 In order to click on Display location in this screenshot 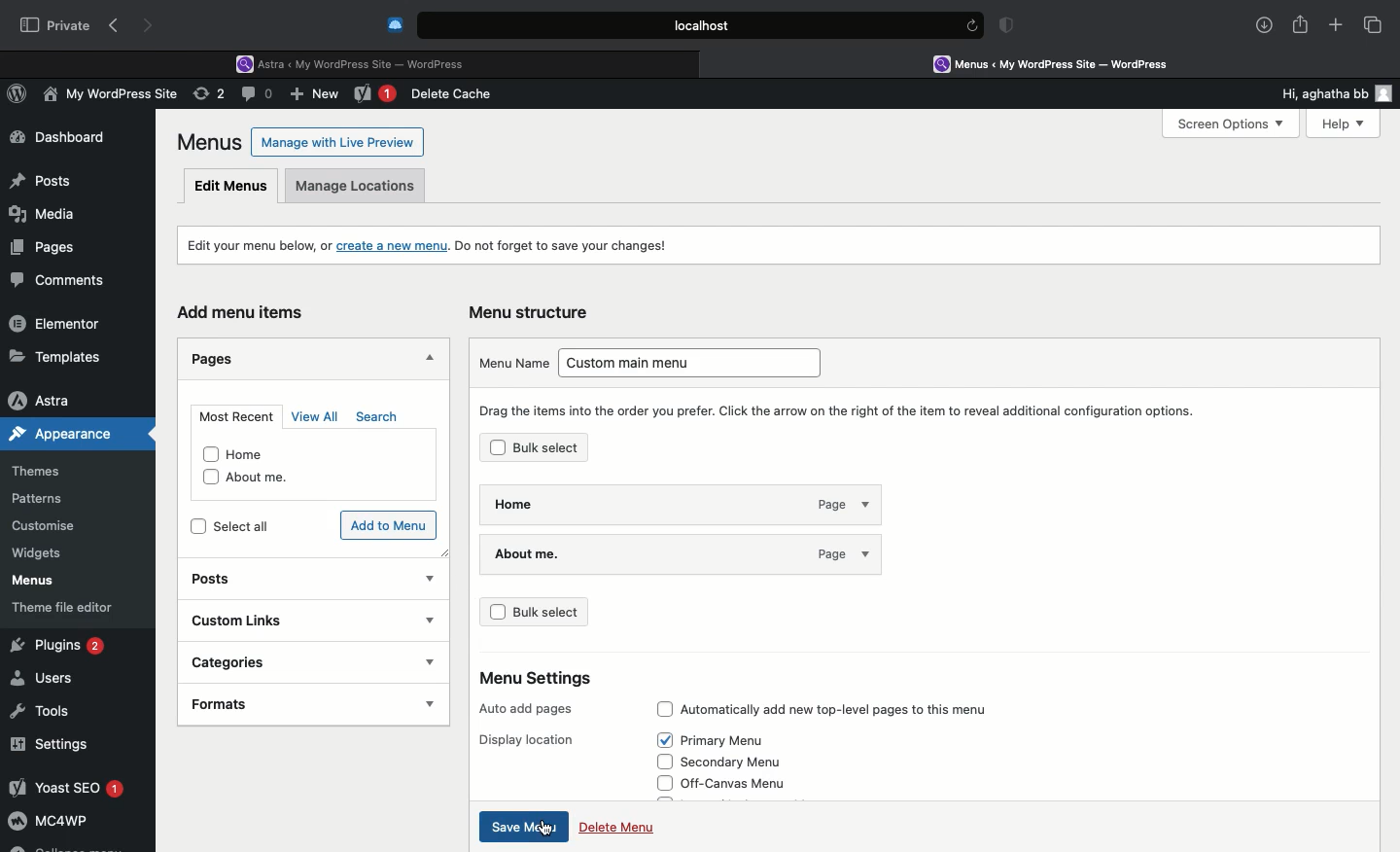, I will do `click(537, 740)`.